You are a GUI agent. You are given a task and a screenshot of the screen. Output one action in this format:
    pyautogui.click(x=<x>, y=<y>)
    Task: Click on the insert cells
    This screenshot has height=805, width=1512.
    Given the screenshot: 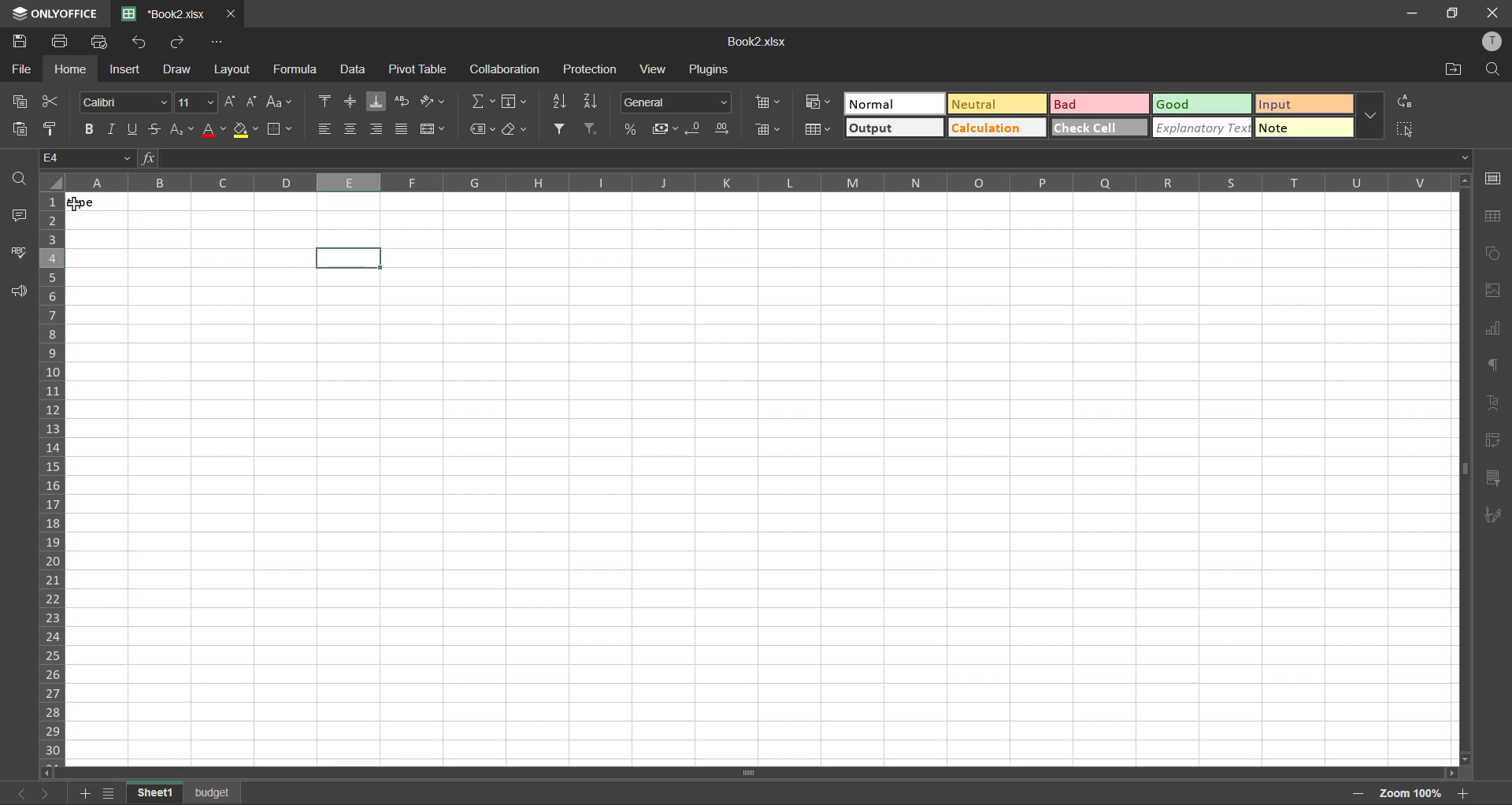 What is the action you would take?
    pyautogui.click(x=769, y=102)
    